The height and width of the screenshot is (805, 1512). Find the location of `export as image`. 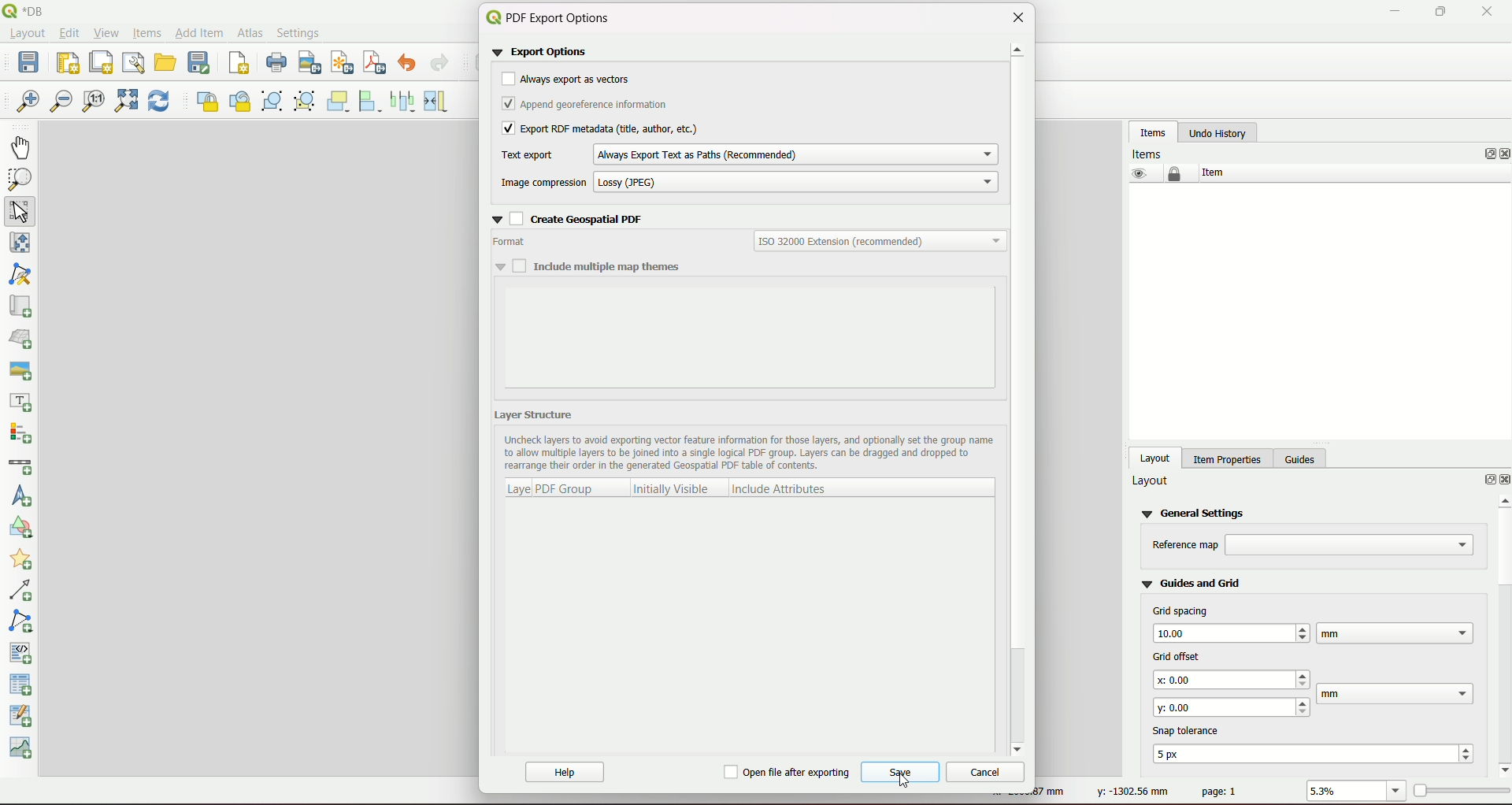

export as image is located at coordinates (309, 64).